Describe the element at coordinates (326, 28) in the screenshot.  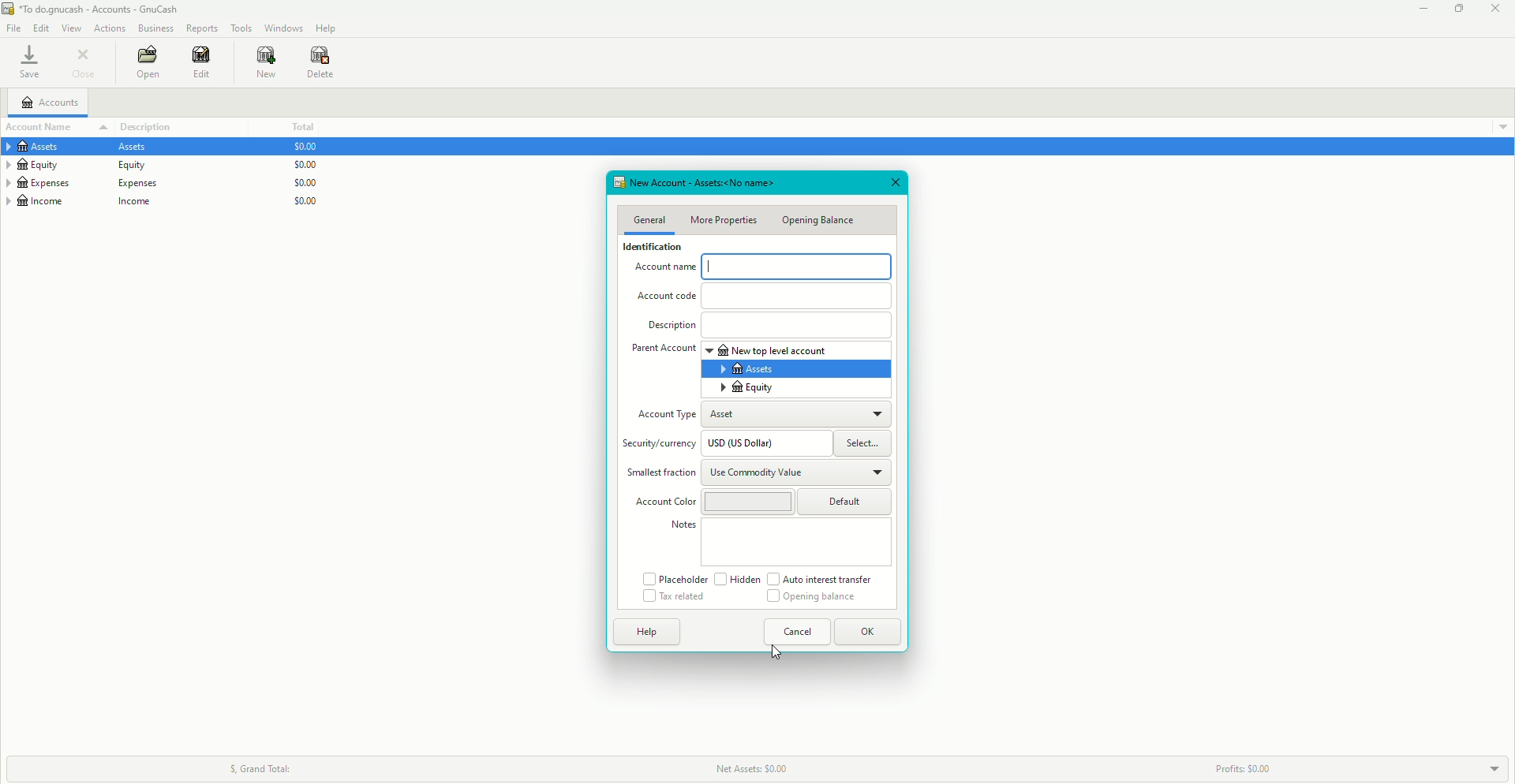
I see `Help` at that location.